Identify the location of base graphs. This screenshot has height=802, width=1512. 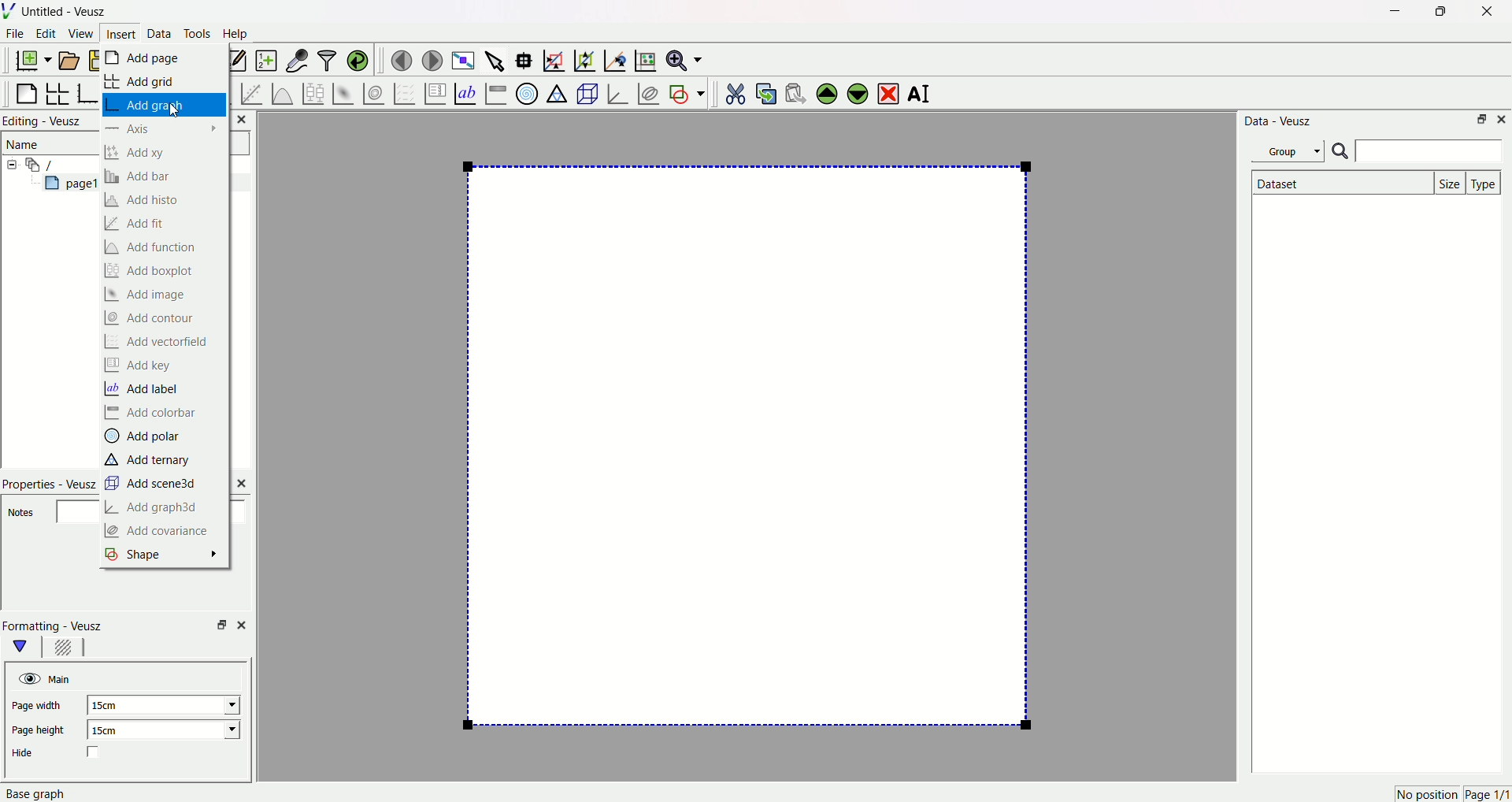
(90, 91).